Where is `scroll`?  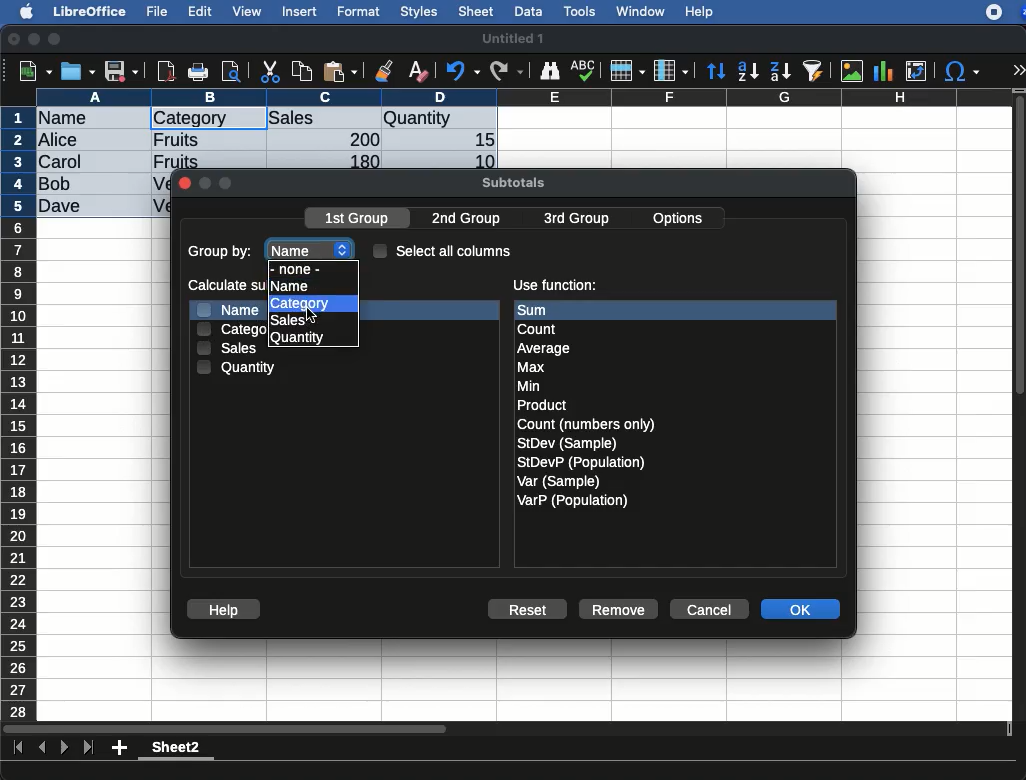 scroll is located at coordinates (1021, 404).